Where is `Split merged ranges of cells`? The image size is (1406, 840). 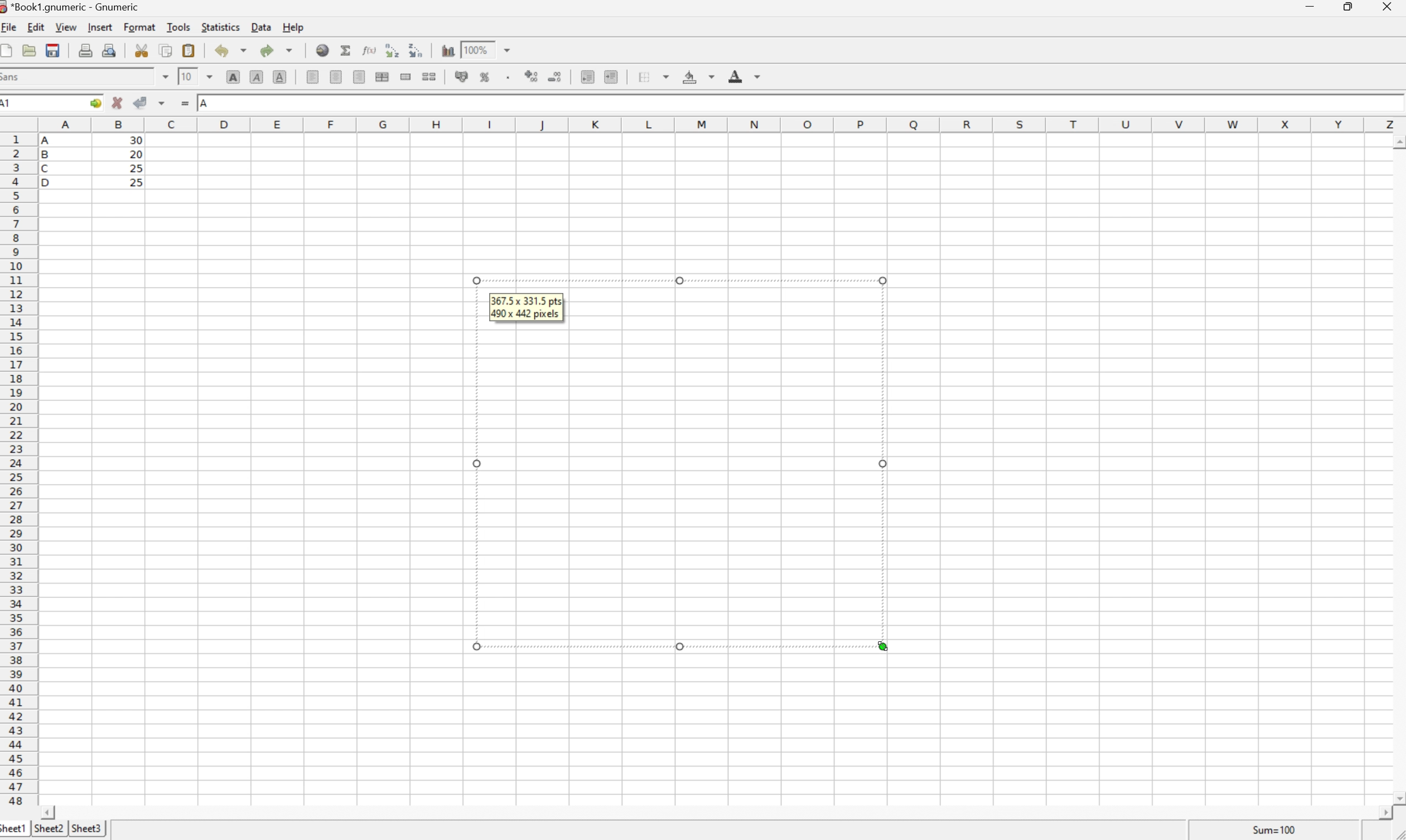
Split merged ranges of cells is located at coordinates (428, 77).